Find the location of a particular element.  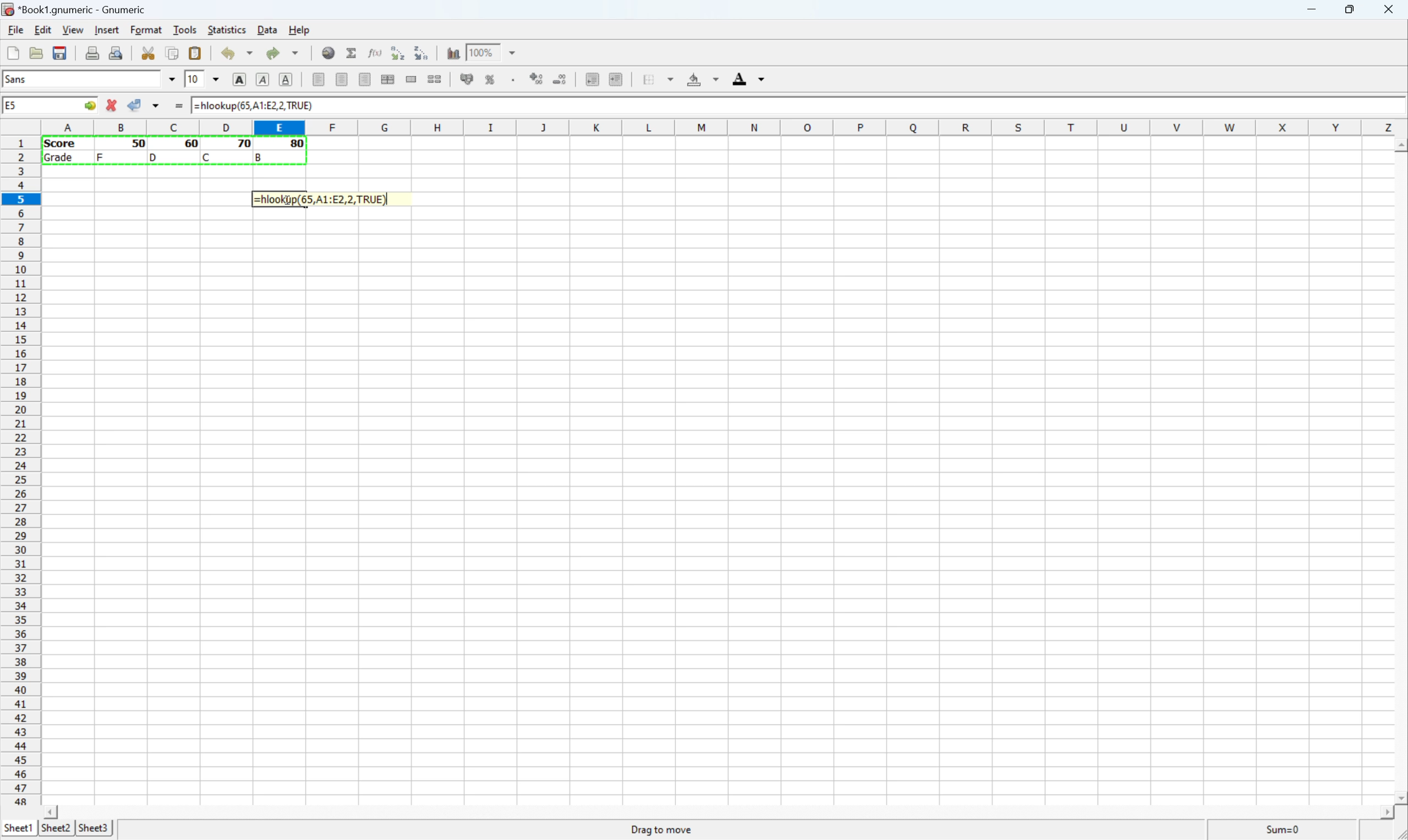

80 is located at coordinates (298, 145).